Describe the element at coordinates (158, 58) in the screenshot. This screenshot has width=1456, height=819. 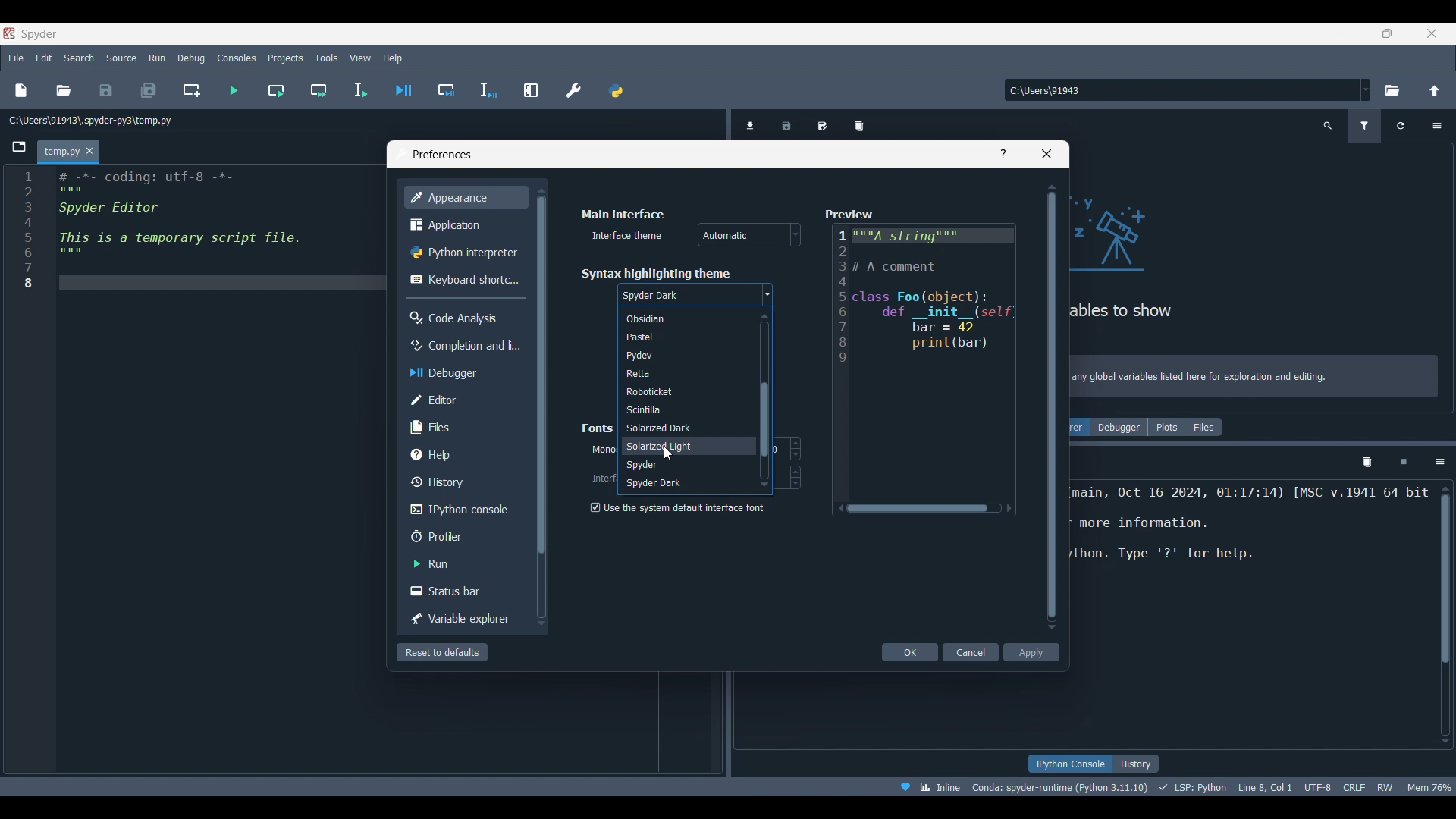
I see `Run menu` at that location.